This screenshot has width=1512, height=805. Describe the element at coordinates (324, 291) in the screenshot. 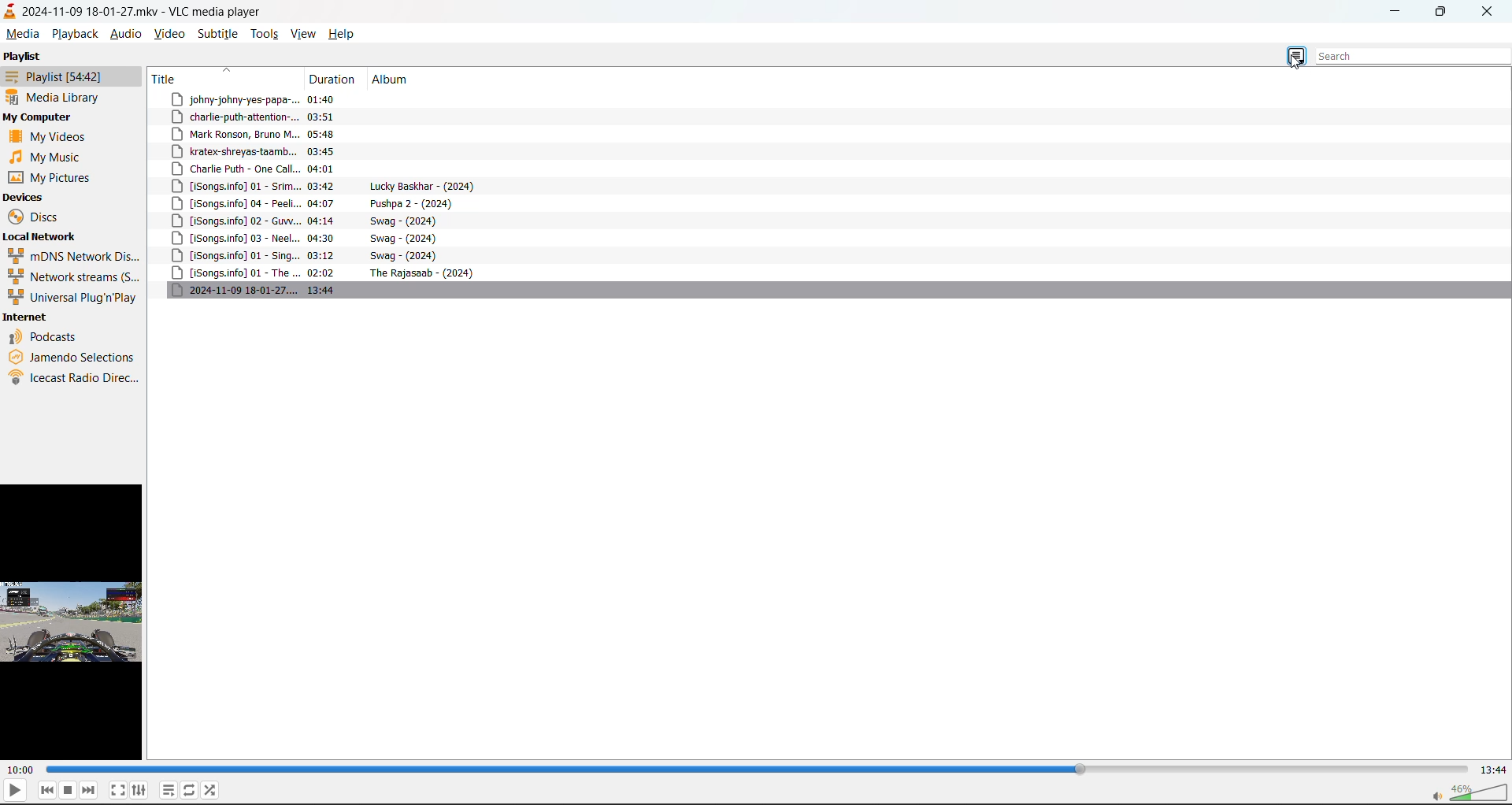

I see `track title, duration and album` at that location.